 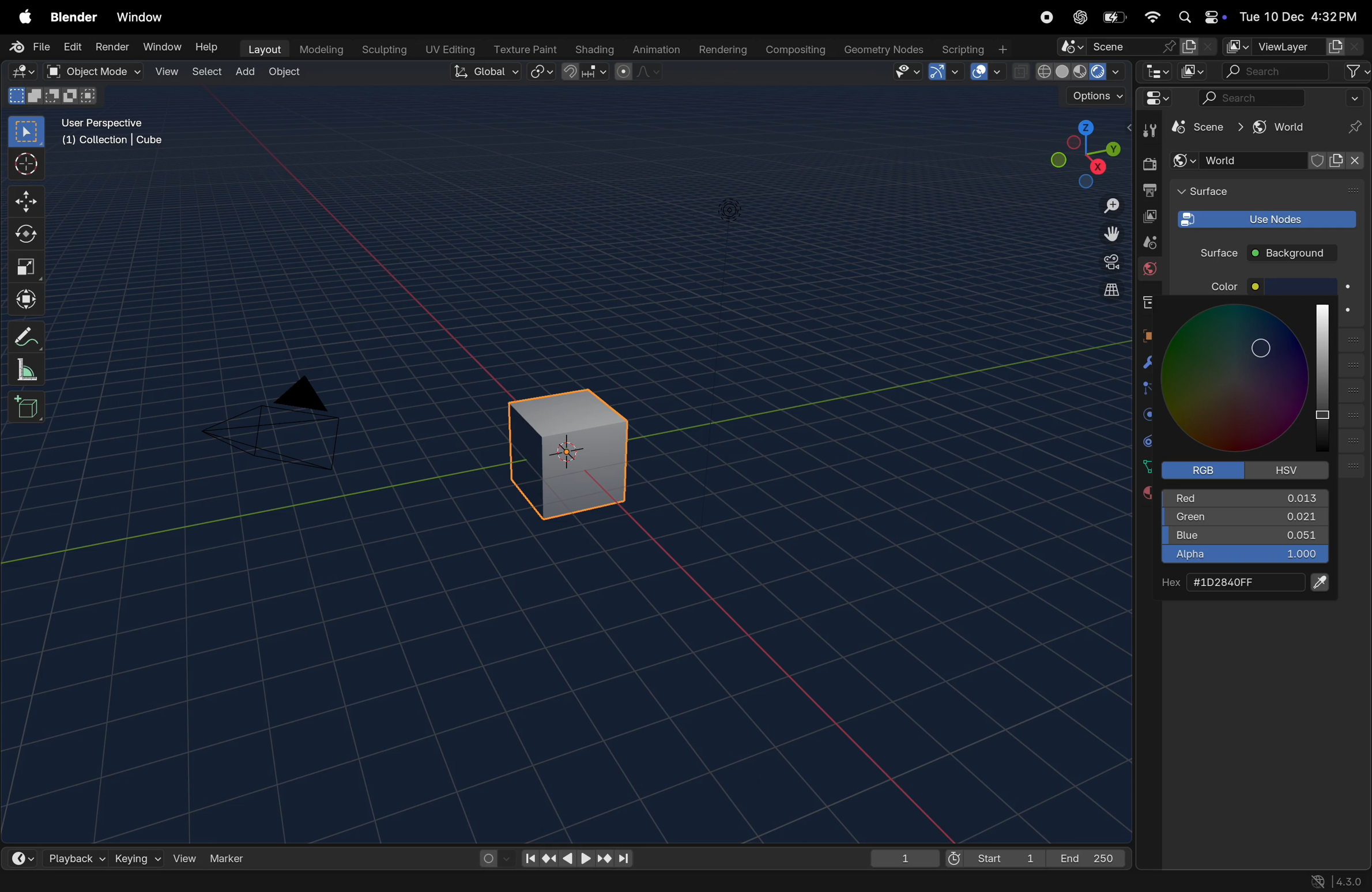 I want to click on , so click(x=246, y=72).